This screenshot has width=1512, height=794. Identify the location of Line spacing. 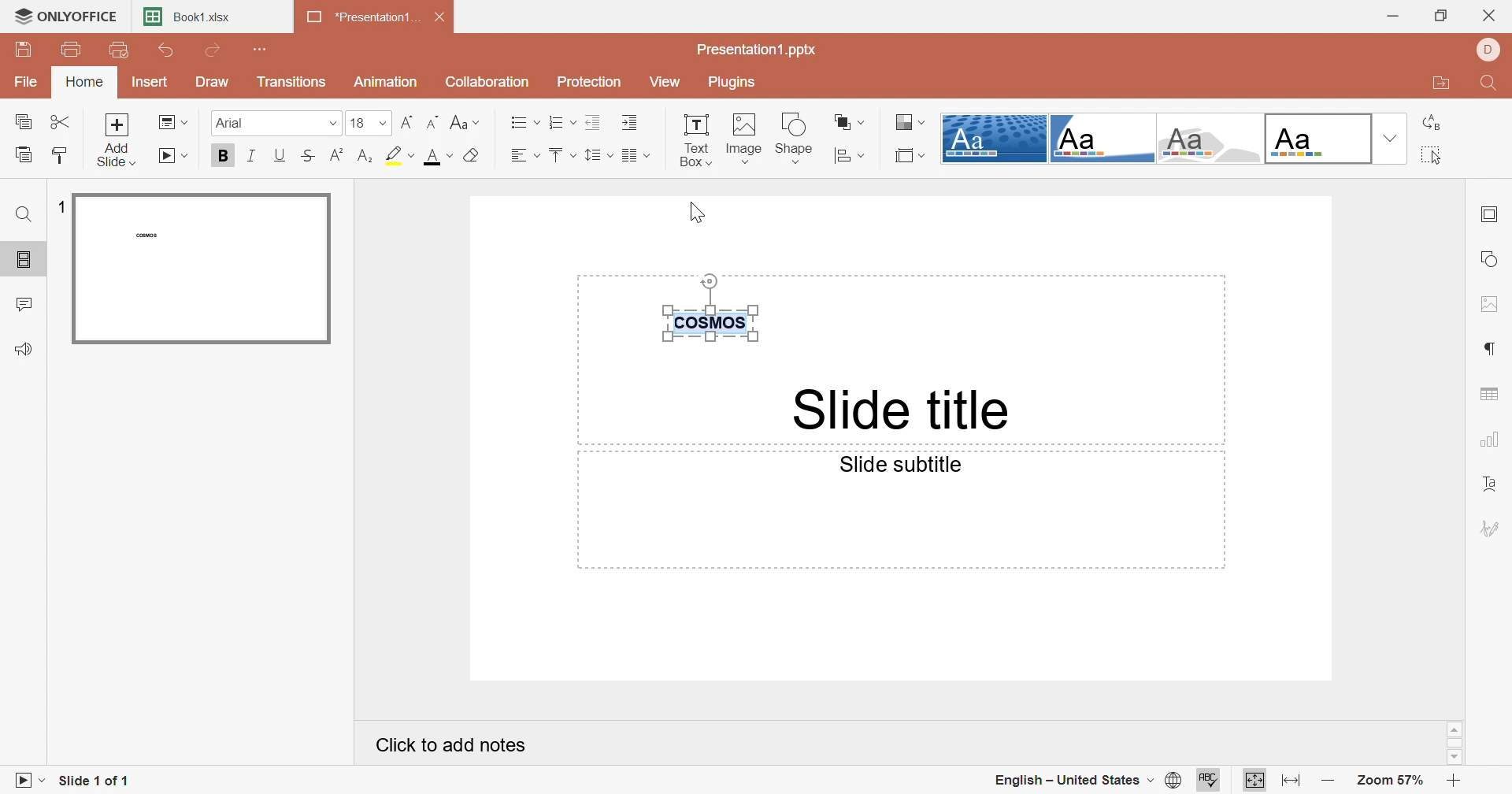
(595, 155).